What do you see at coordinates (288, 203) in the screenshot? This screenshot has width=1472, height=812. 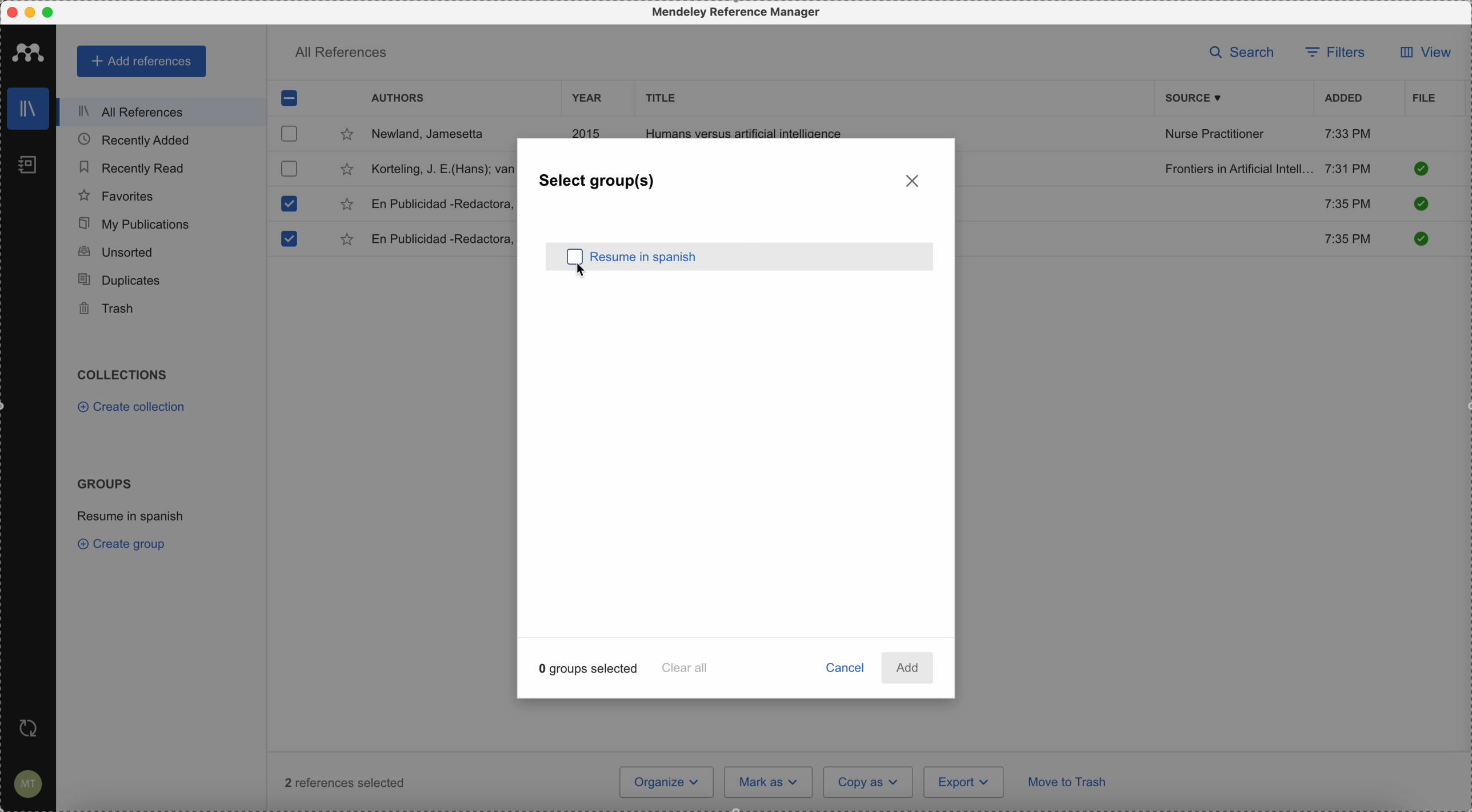 I see `checkbox selected` at bounding box center [288, 203].